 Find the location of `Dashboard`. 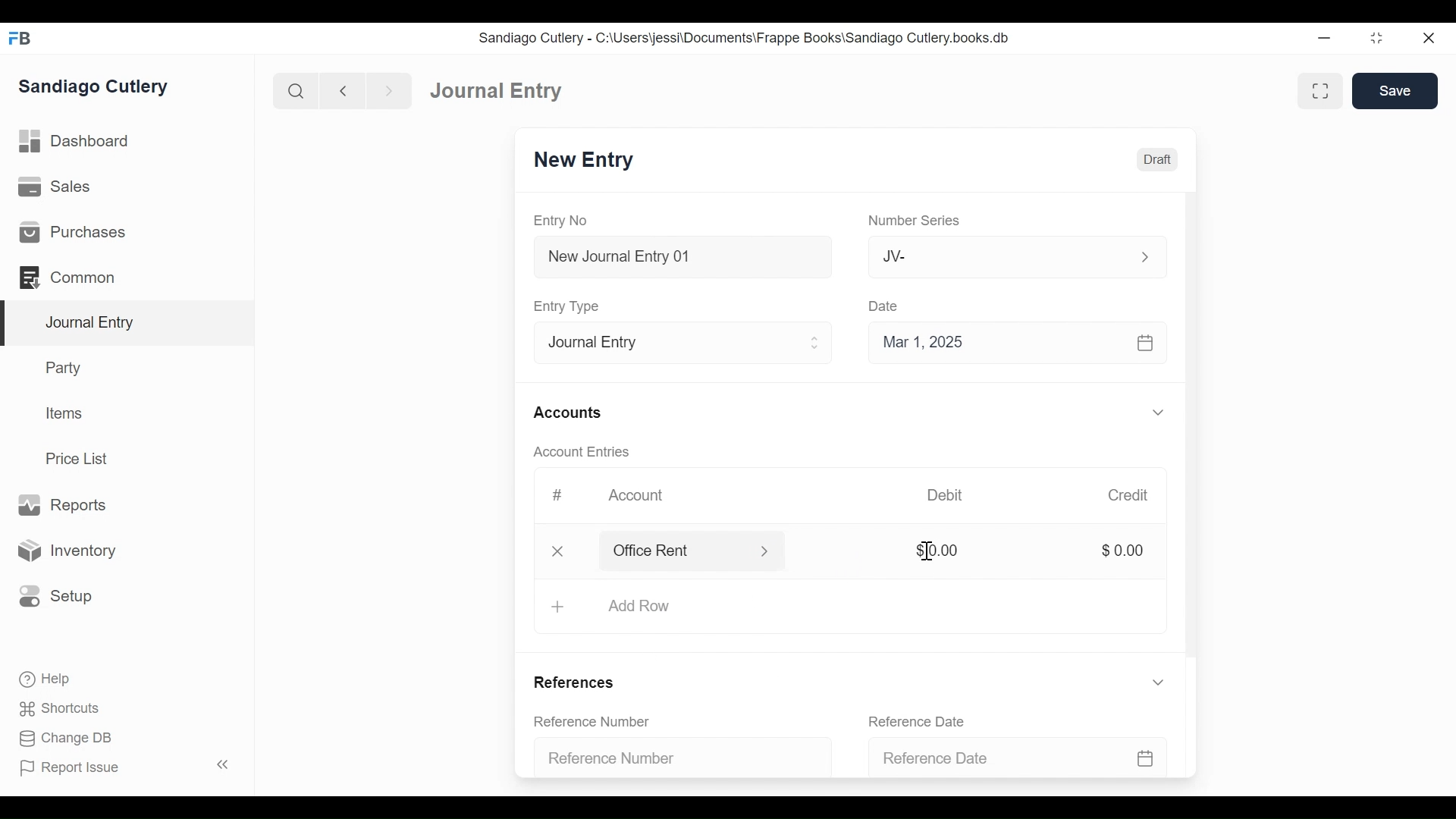

Dashboard is located at coordinates (491, 89).